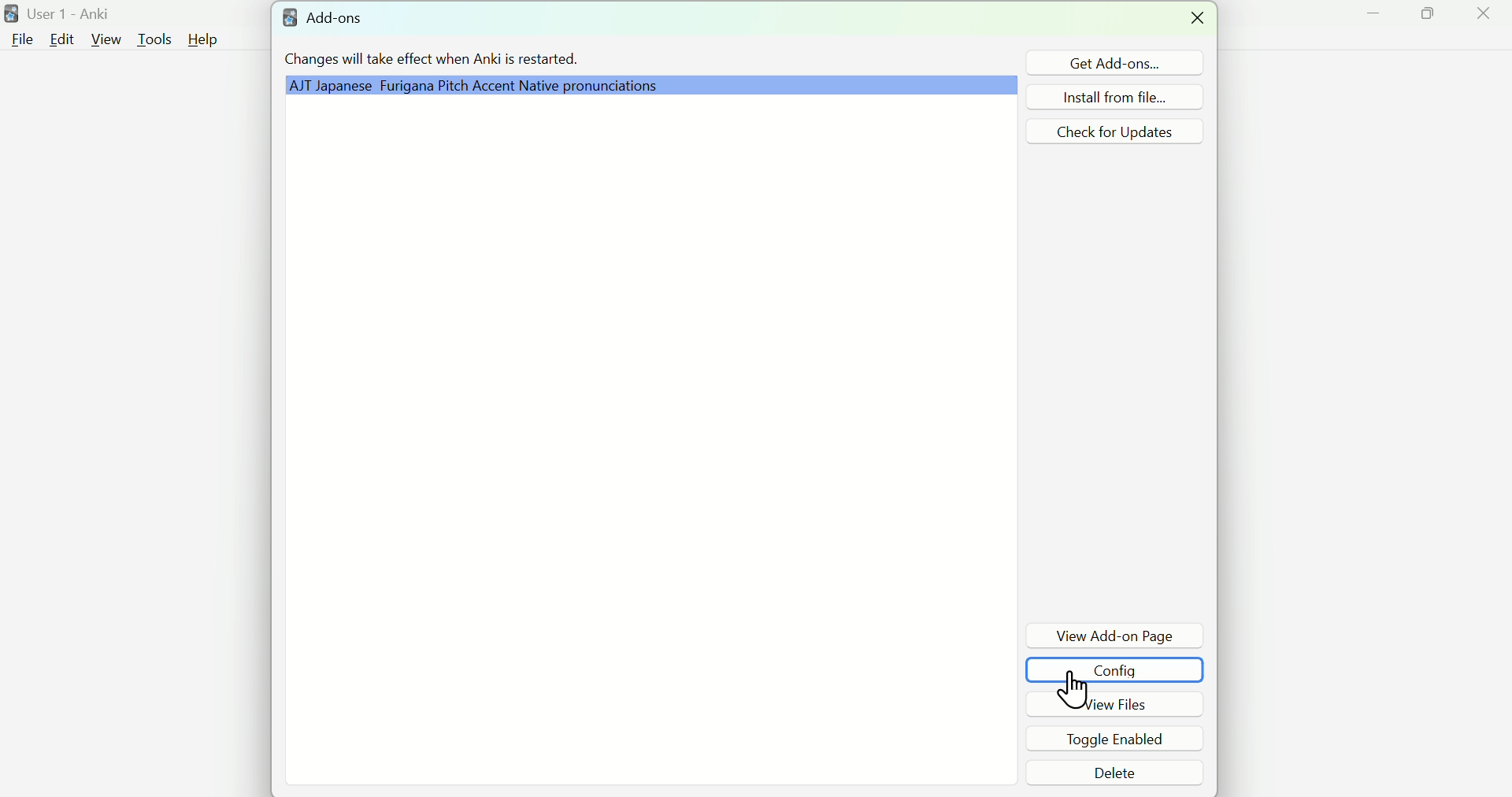 This screenshot has height=797, width=1512. I want to click on Delete, so click(1114, 774).